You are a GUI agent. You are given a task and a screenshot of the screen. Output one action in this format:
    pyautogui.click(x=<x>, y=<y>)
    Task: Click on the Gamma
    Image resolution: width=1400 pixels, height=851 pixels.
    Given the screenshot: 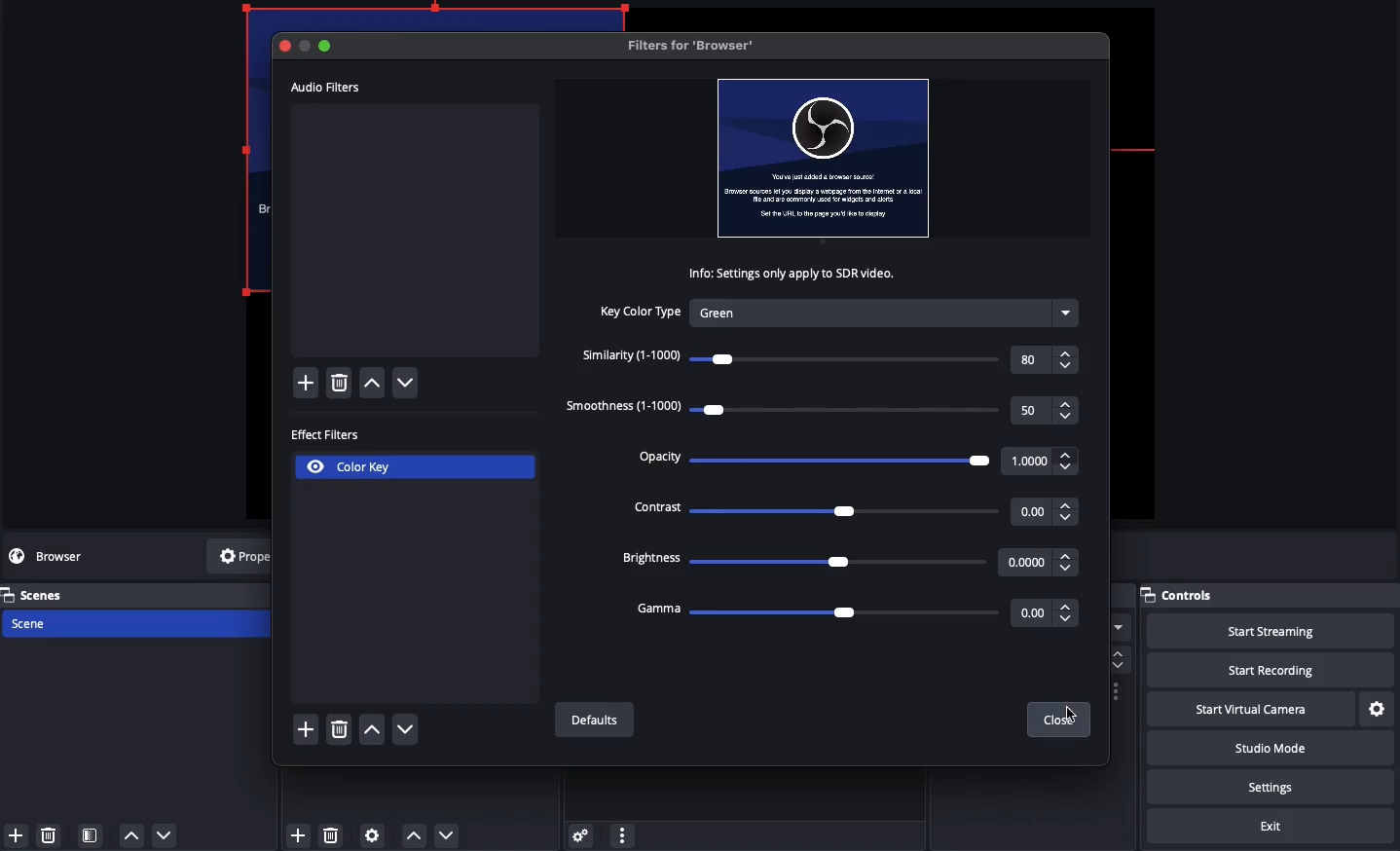 What is the action you would take?
    pyautogui.click(x=856, y=612)
    